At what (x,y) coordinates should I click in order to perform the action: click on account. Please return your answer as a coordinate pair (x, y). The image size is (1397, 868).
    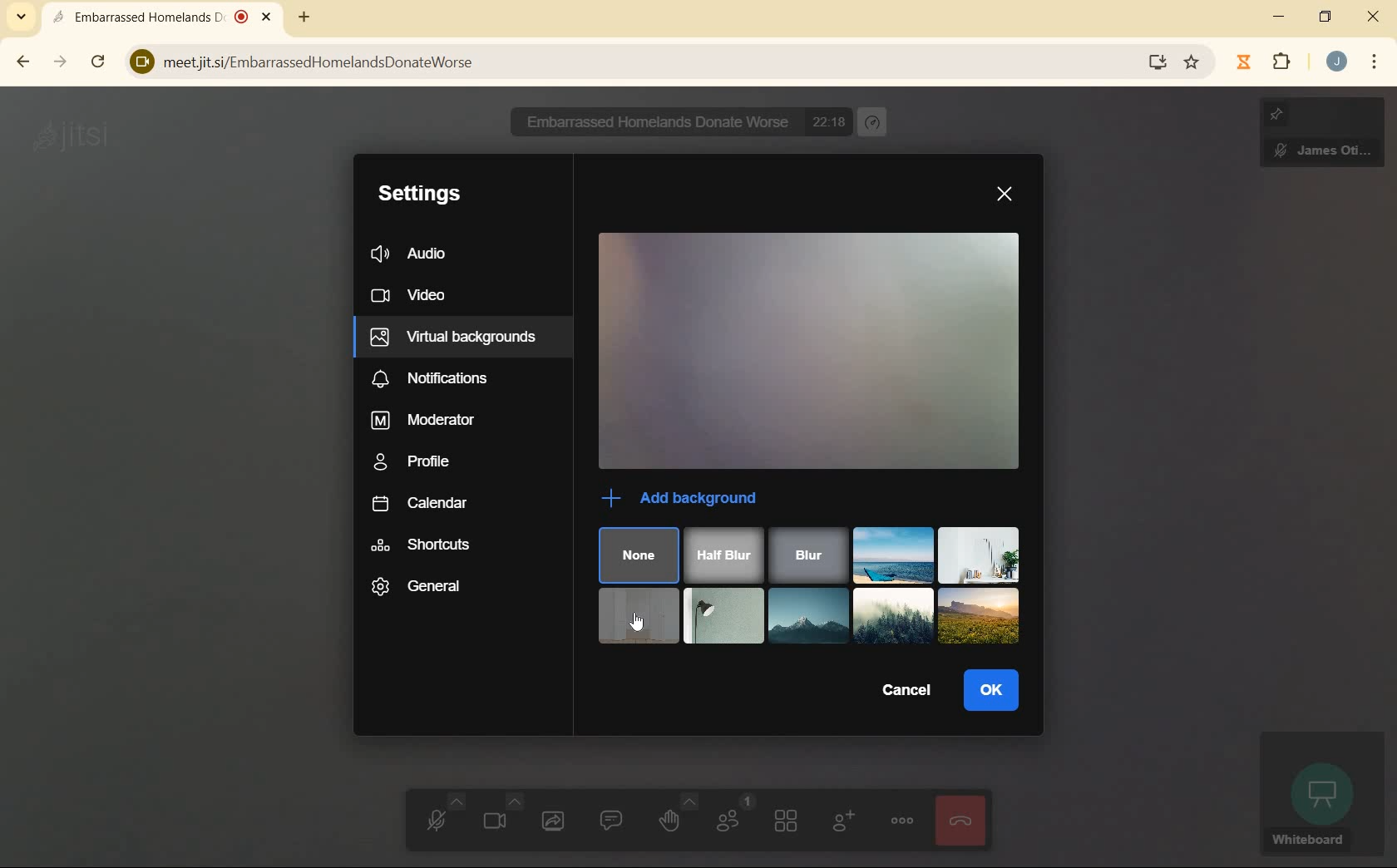
    Looking at the image, I should click on (1336, 61).